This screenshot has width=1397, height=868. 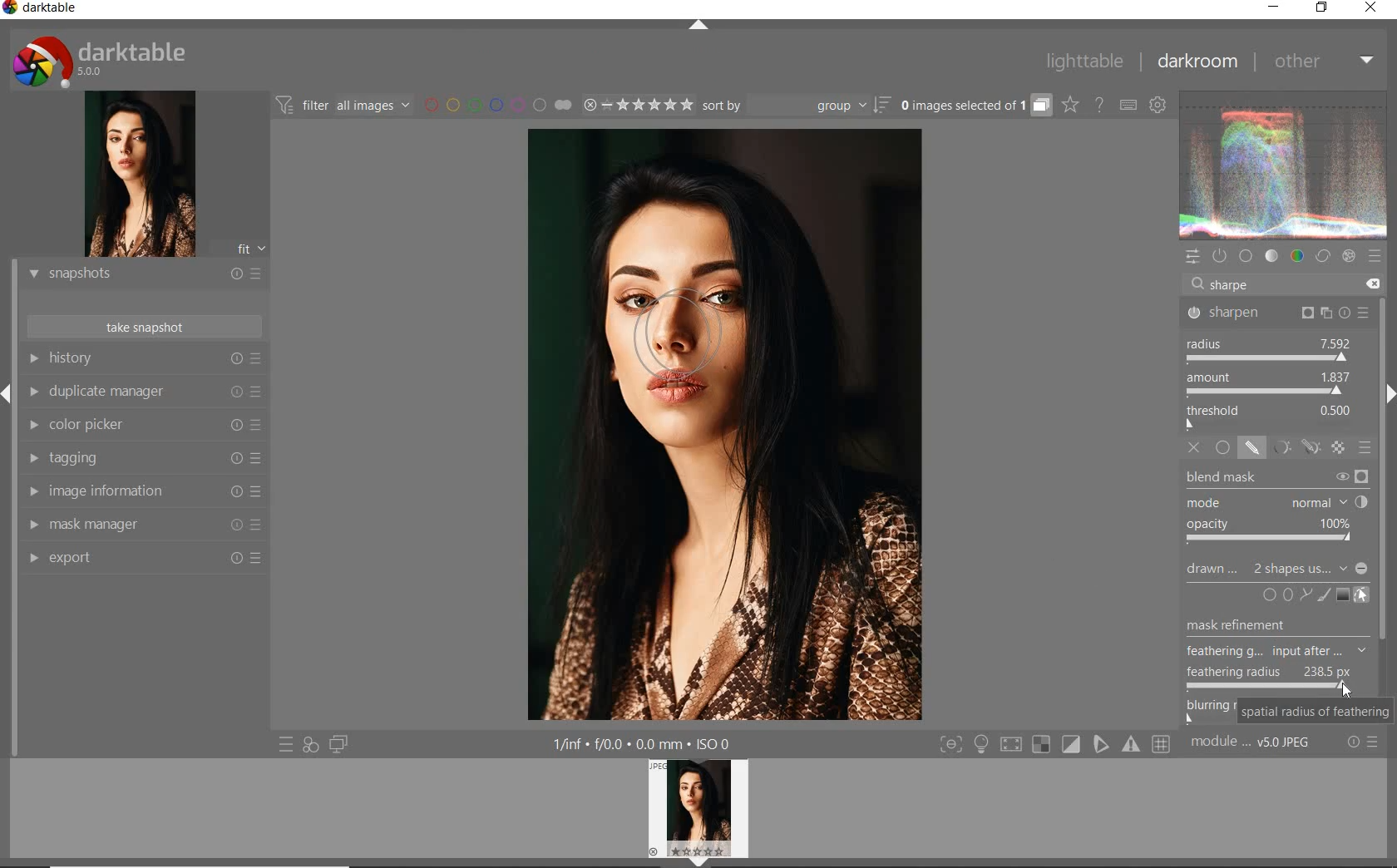 What do you see at coordinates (1235, 284) in the screenshot?
I see `INPUT VALUE` at bounding box center [1235, 284].